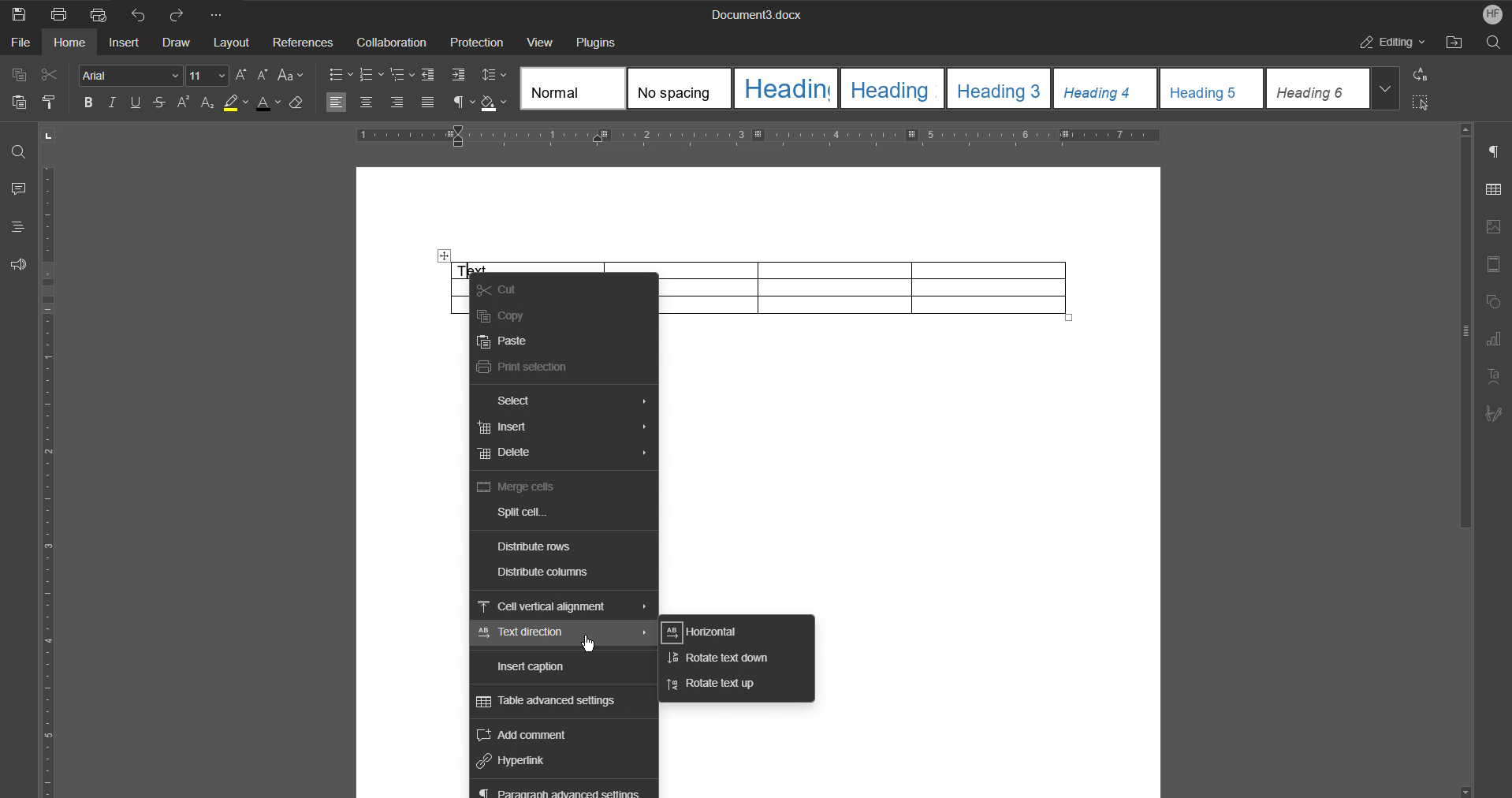 The width and height of the screenshot is (1512, 798). Describe the element at coordinates (520, 488) in the screenshot. I see `Merge cells` at that location.